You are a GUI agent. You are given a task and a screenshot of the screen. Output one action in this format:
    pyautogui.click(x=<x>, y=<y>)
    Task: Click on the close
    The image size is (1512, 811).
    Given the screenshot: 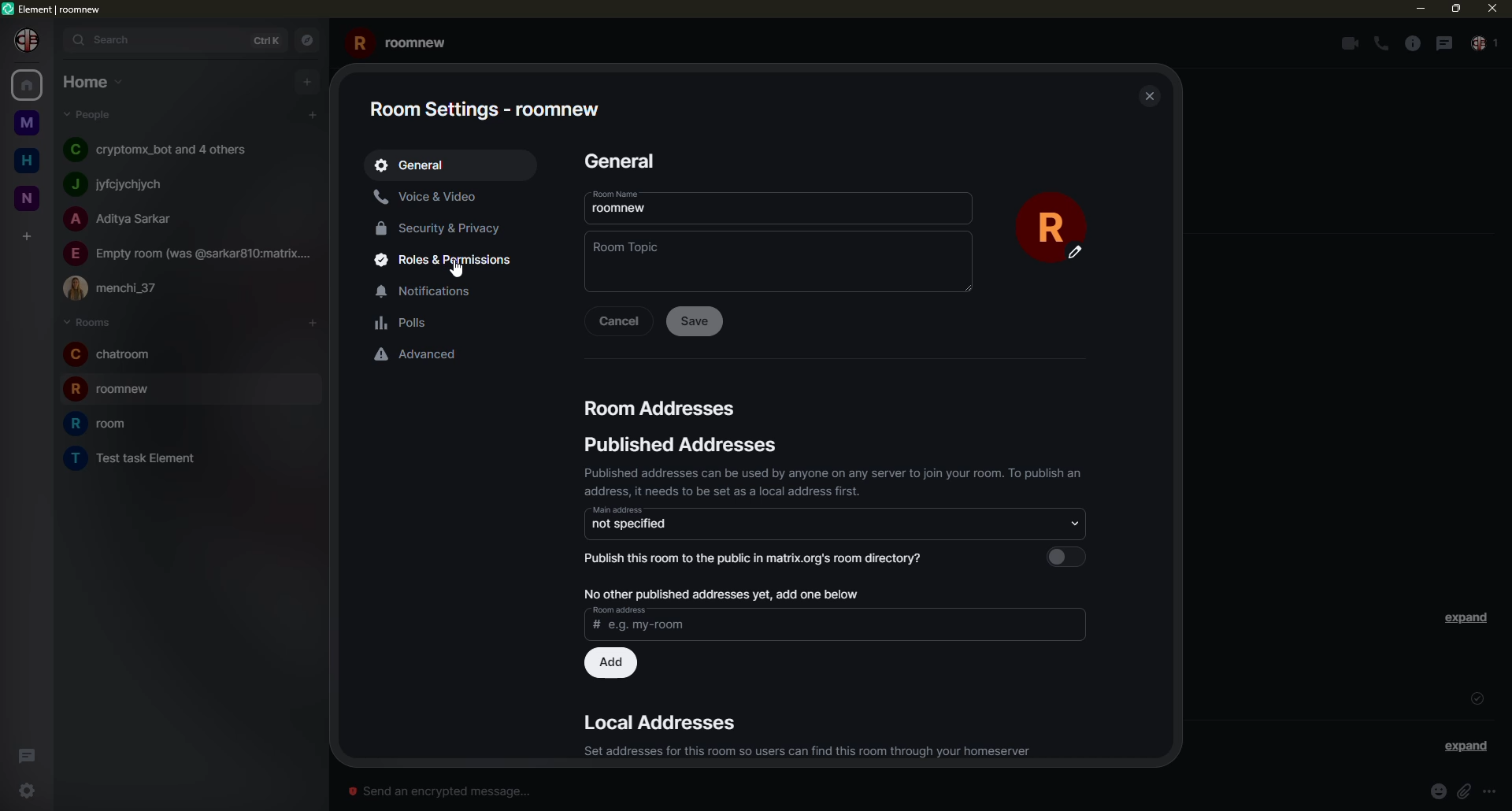 What is the action you would take?
    pyautogui.click(x=1490, y=8)
    